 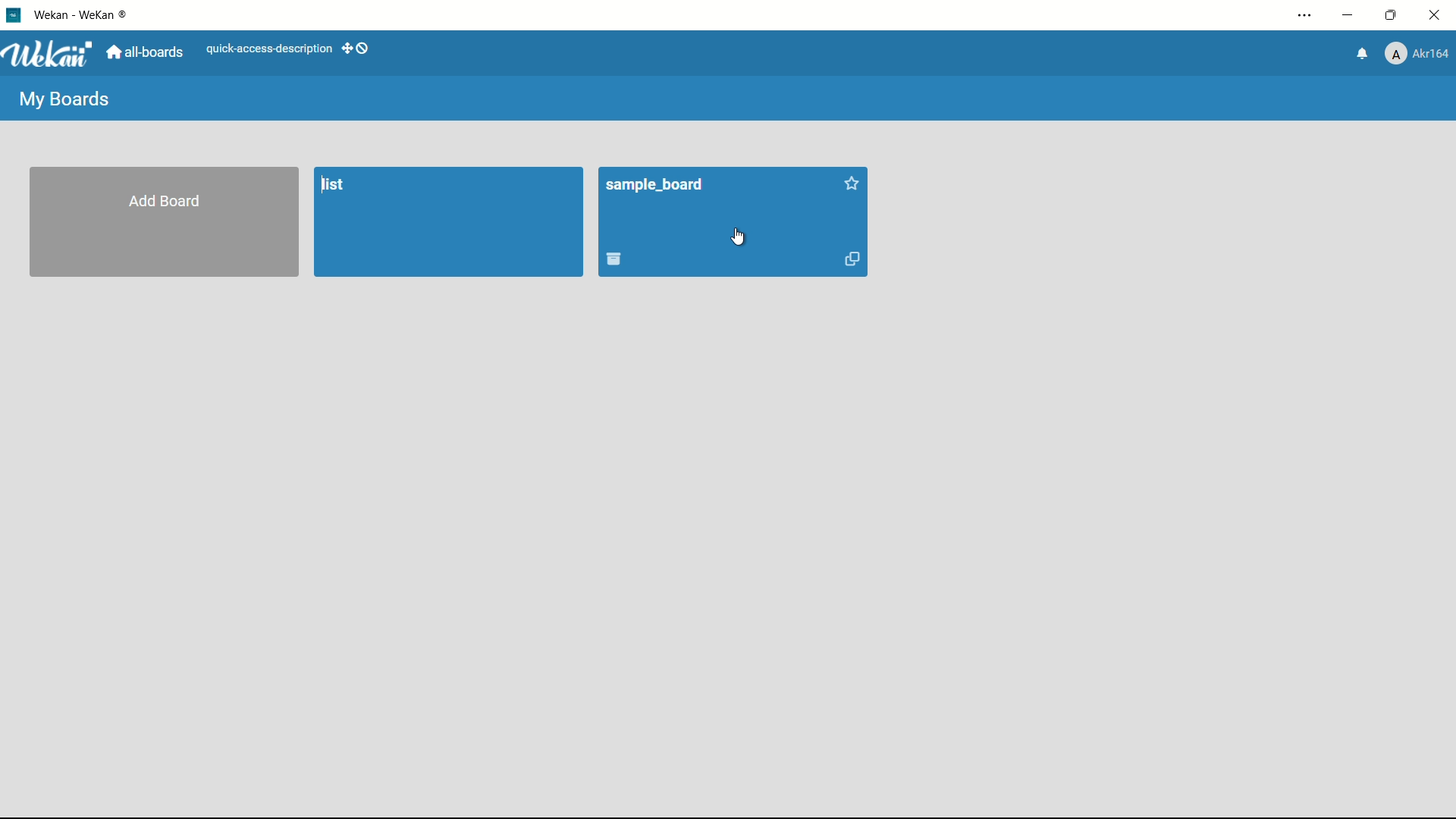 What do you see at coordinates (1437, 15) in the screenshot?
I see `close app` at bounding box center [1437, 15].